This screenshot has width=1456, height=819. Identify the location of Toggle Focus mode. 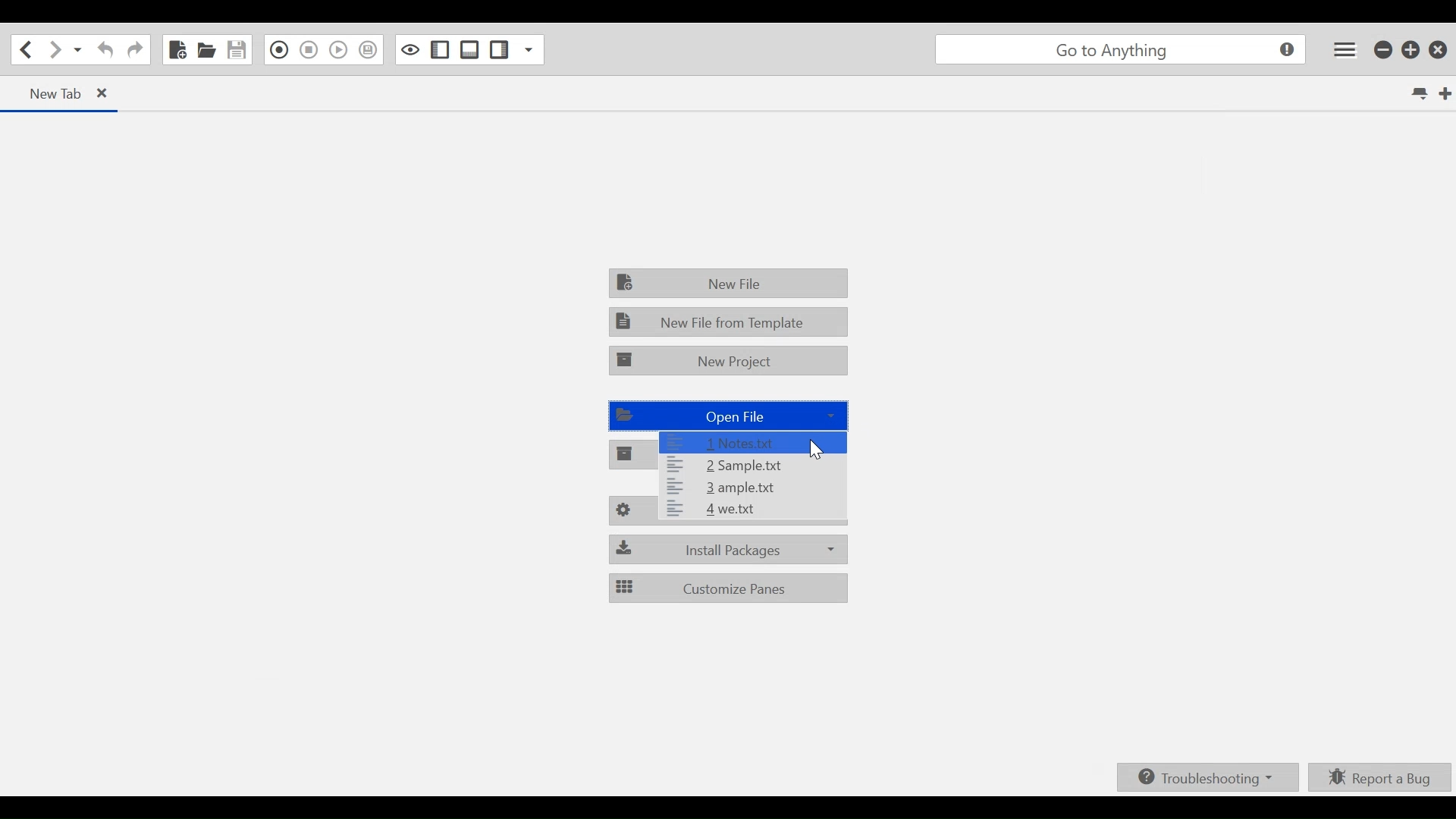
(410, 49).